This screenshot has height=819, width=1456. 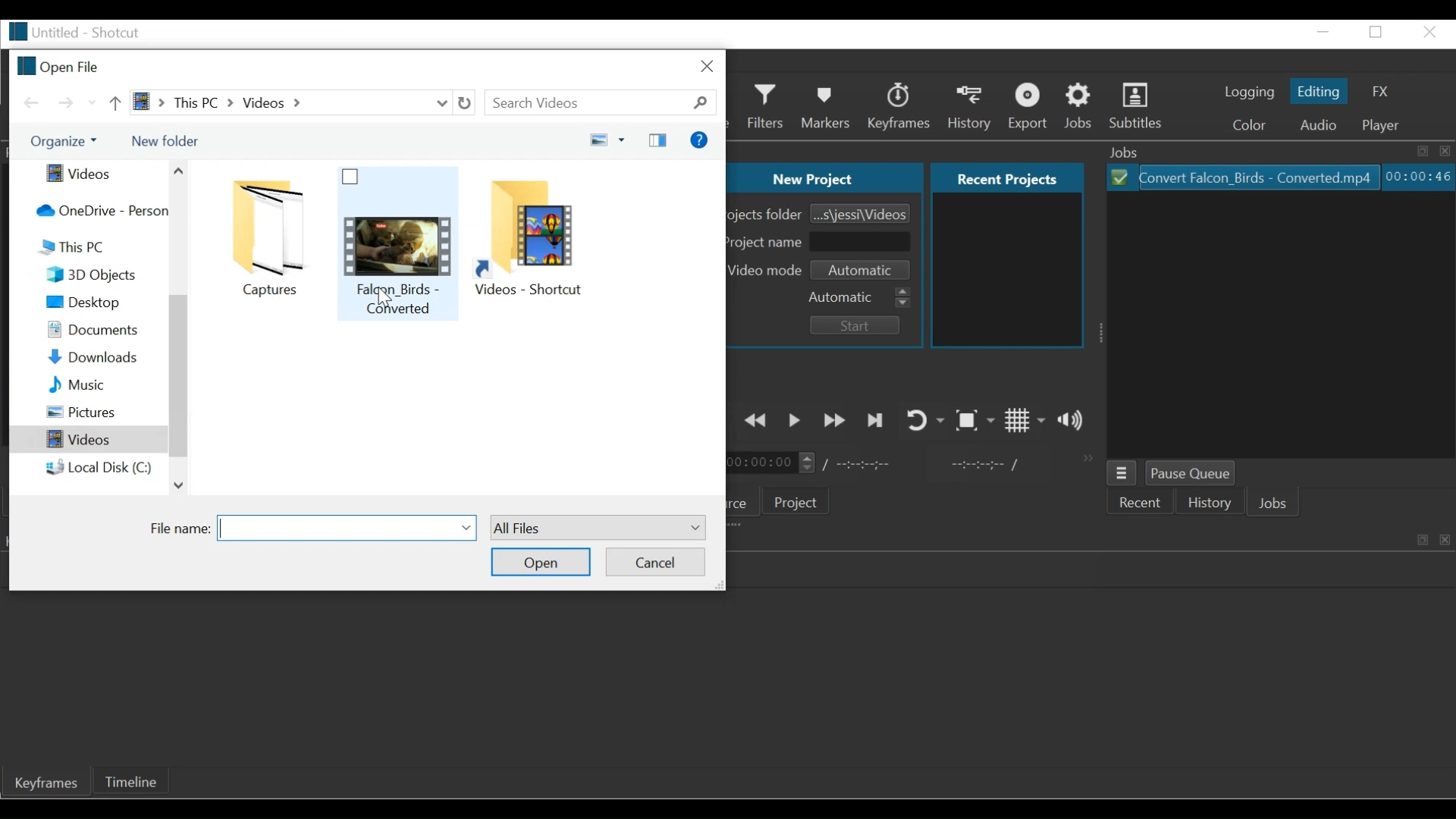 What do you see at coordinates (177, 530) in the screenshot?
I see `File Name` at bounding box center [177, 530].